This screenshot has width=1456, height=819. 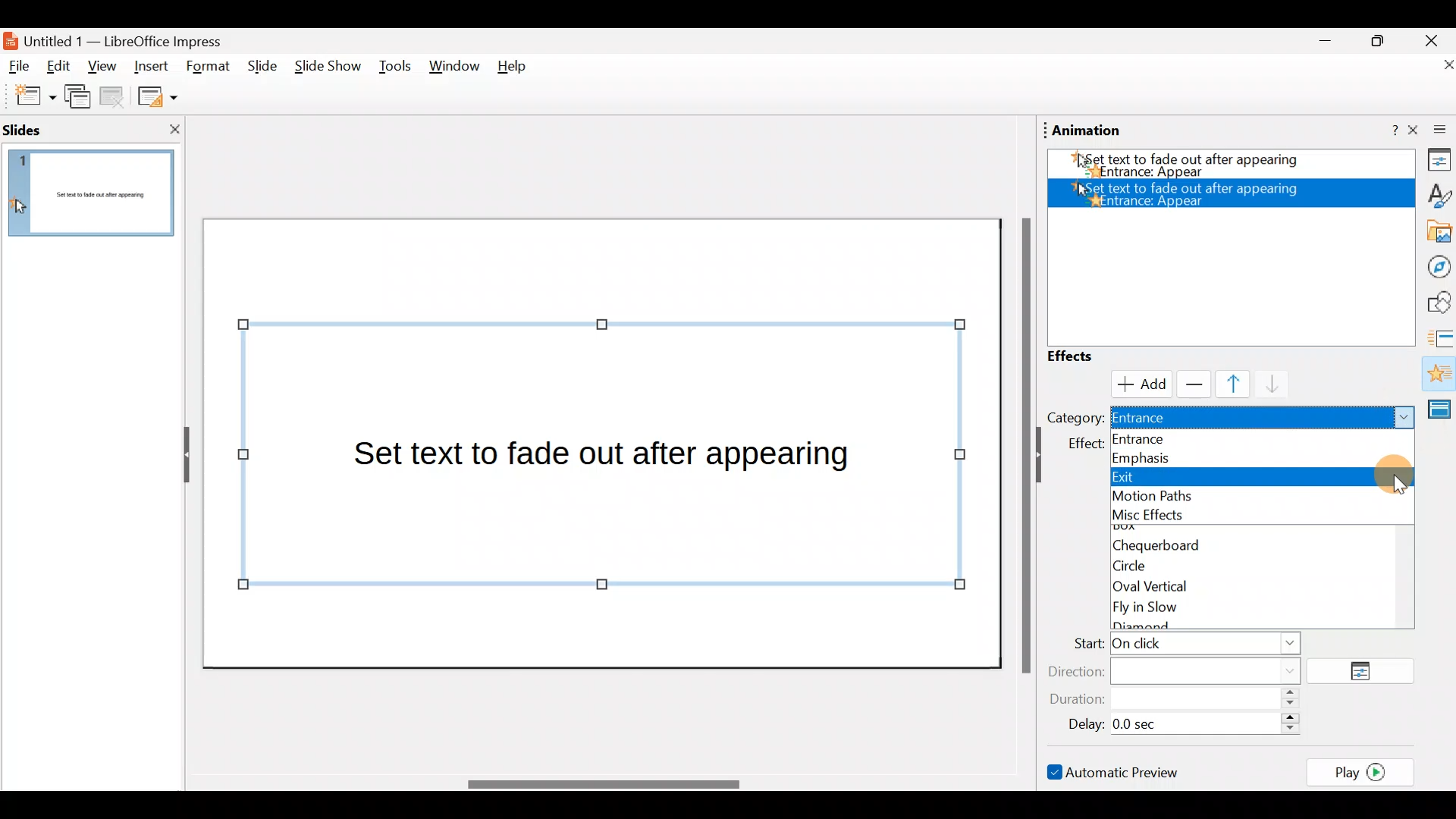 I want to click on Format, so click(x=209, y=67).